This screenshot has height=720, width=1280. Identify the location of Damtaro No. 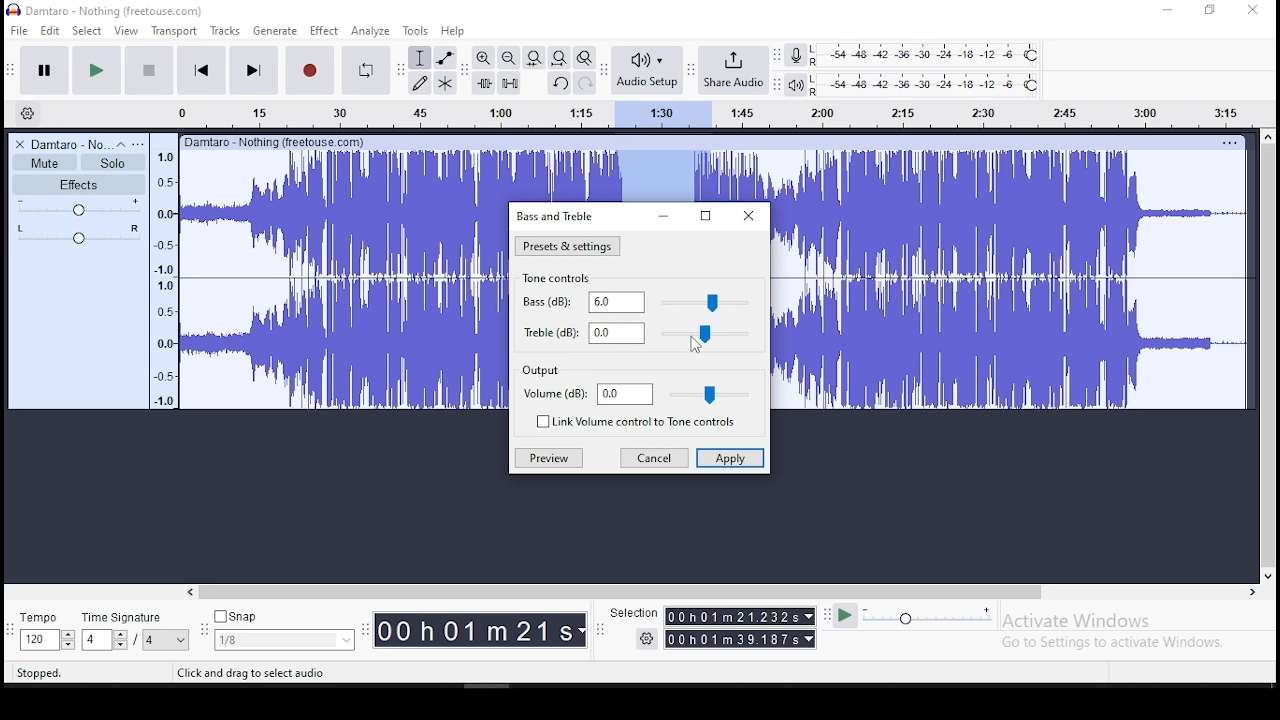
(70, 144).